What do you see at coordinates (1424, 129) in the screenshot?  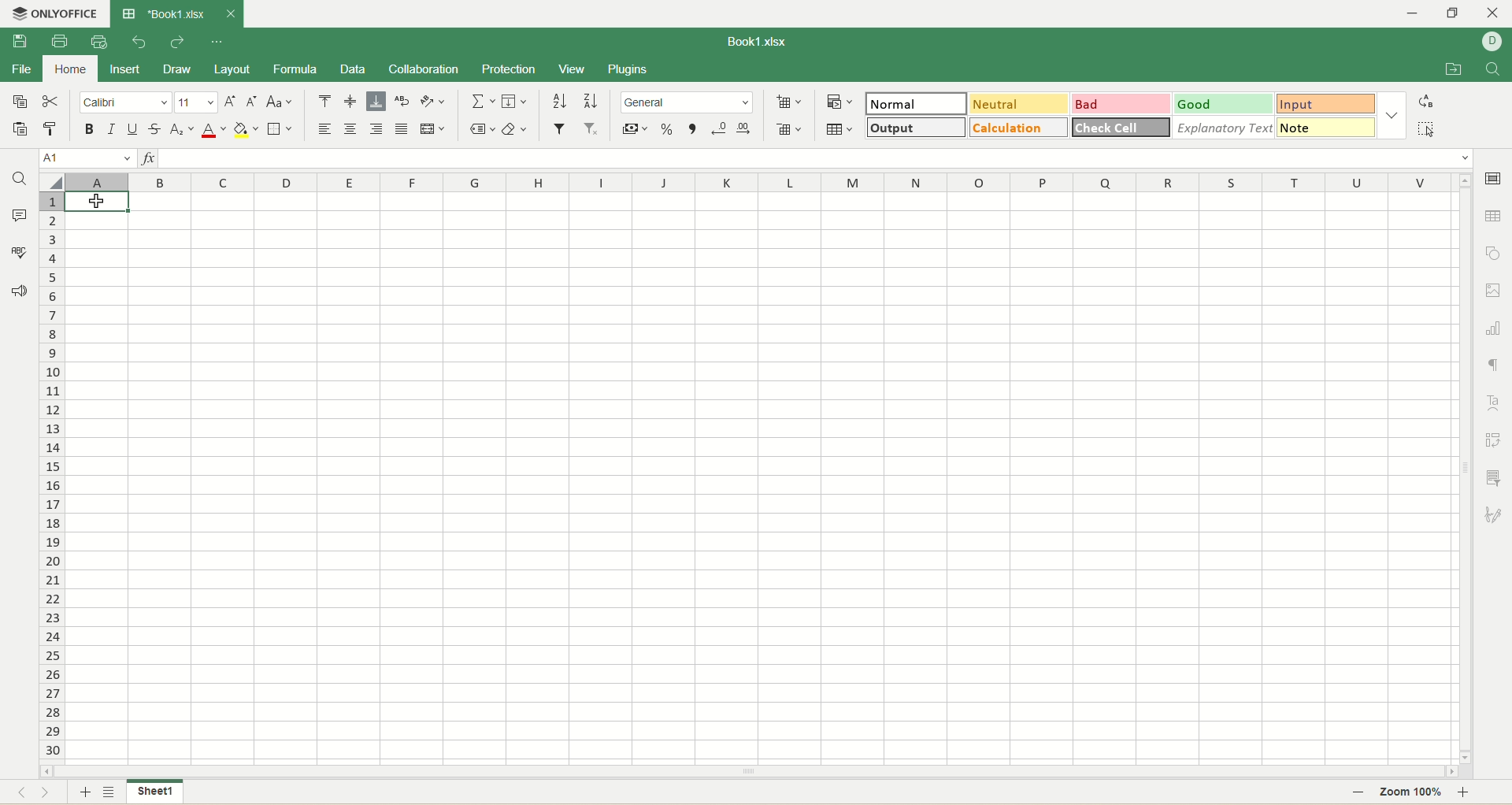 I see `select all` at bounding box center [1424, 129].